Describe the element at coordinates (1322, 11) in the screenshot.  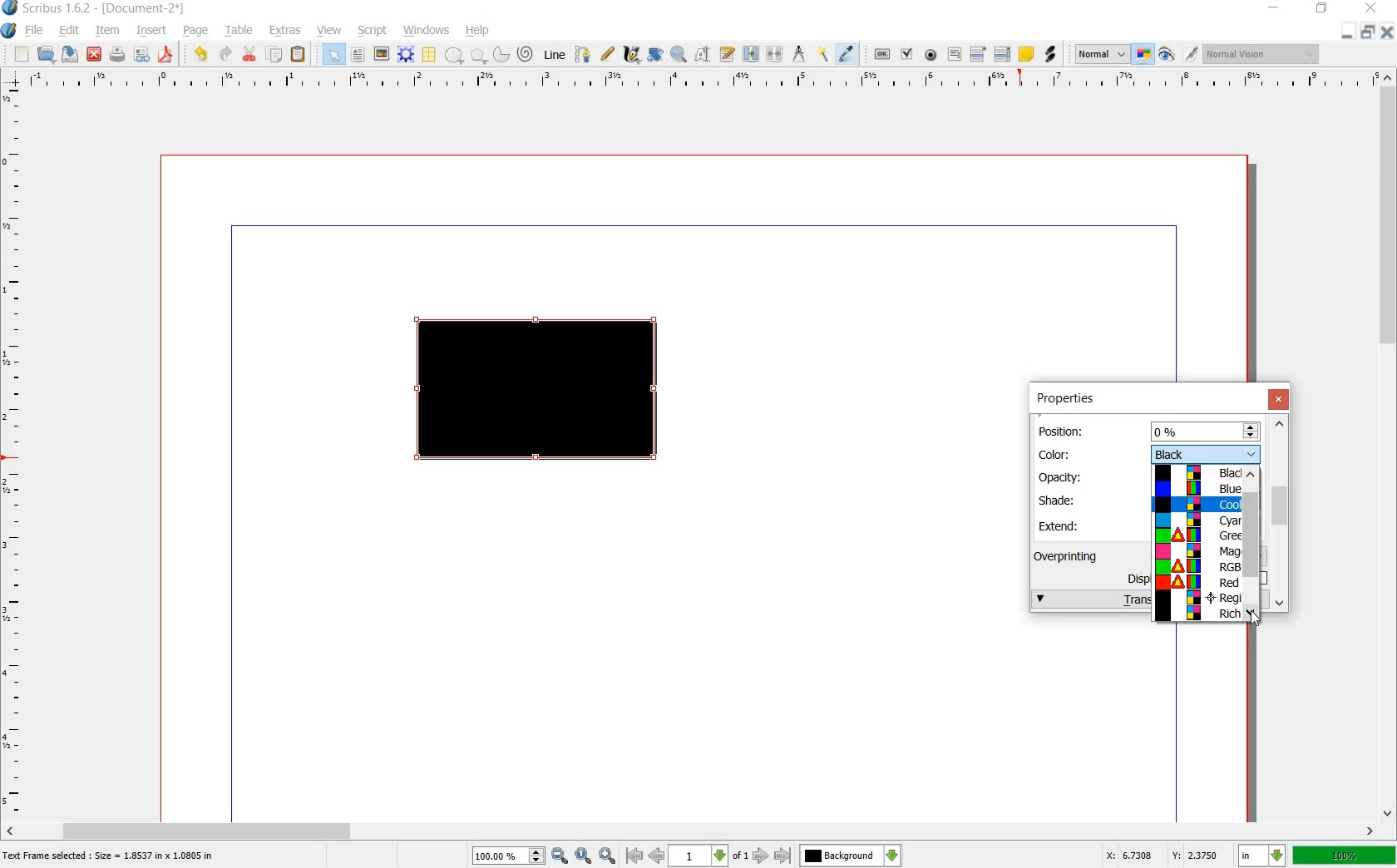
I see `restore` at that location.